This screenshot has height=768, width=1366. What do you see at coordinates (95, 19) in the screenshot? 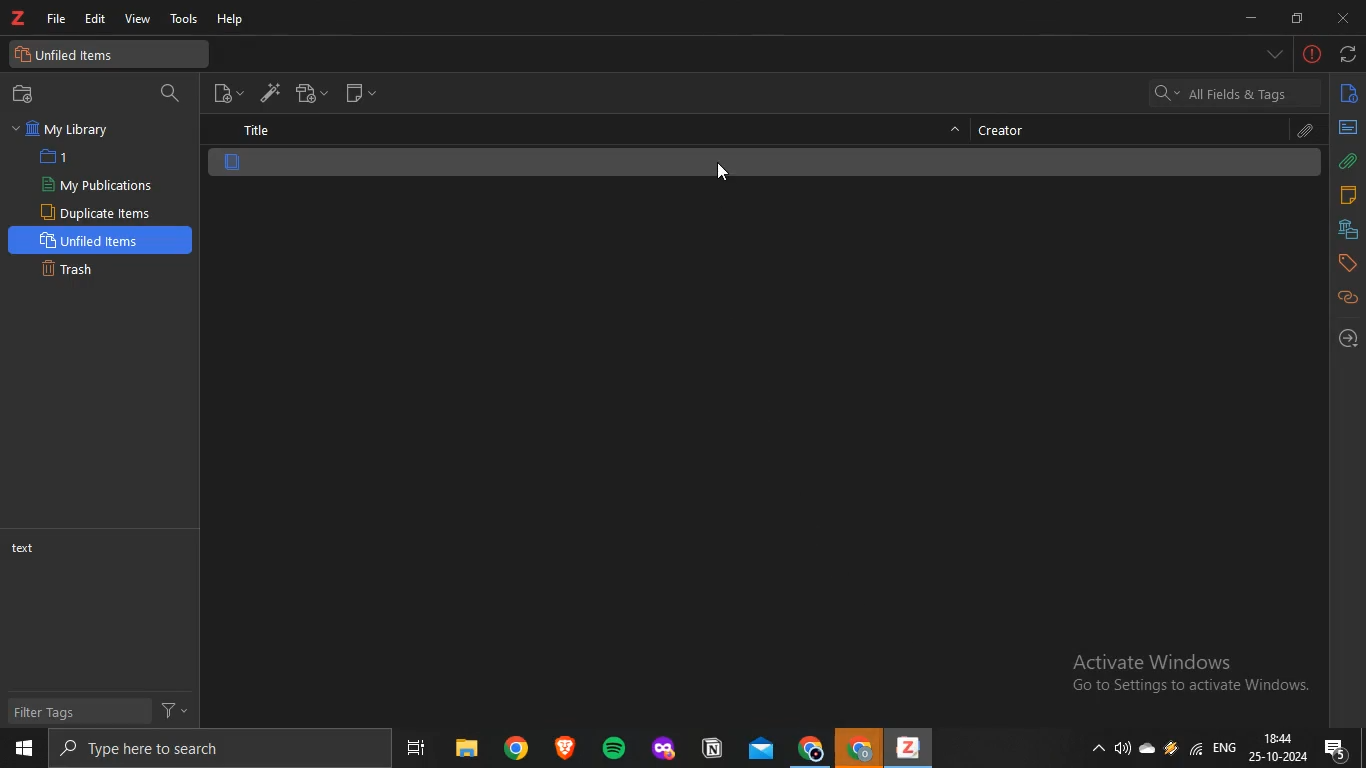
I see `edit` at bounding box center [95, 19].